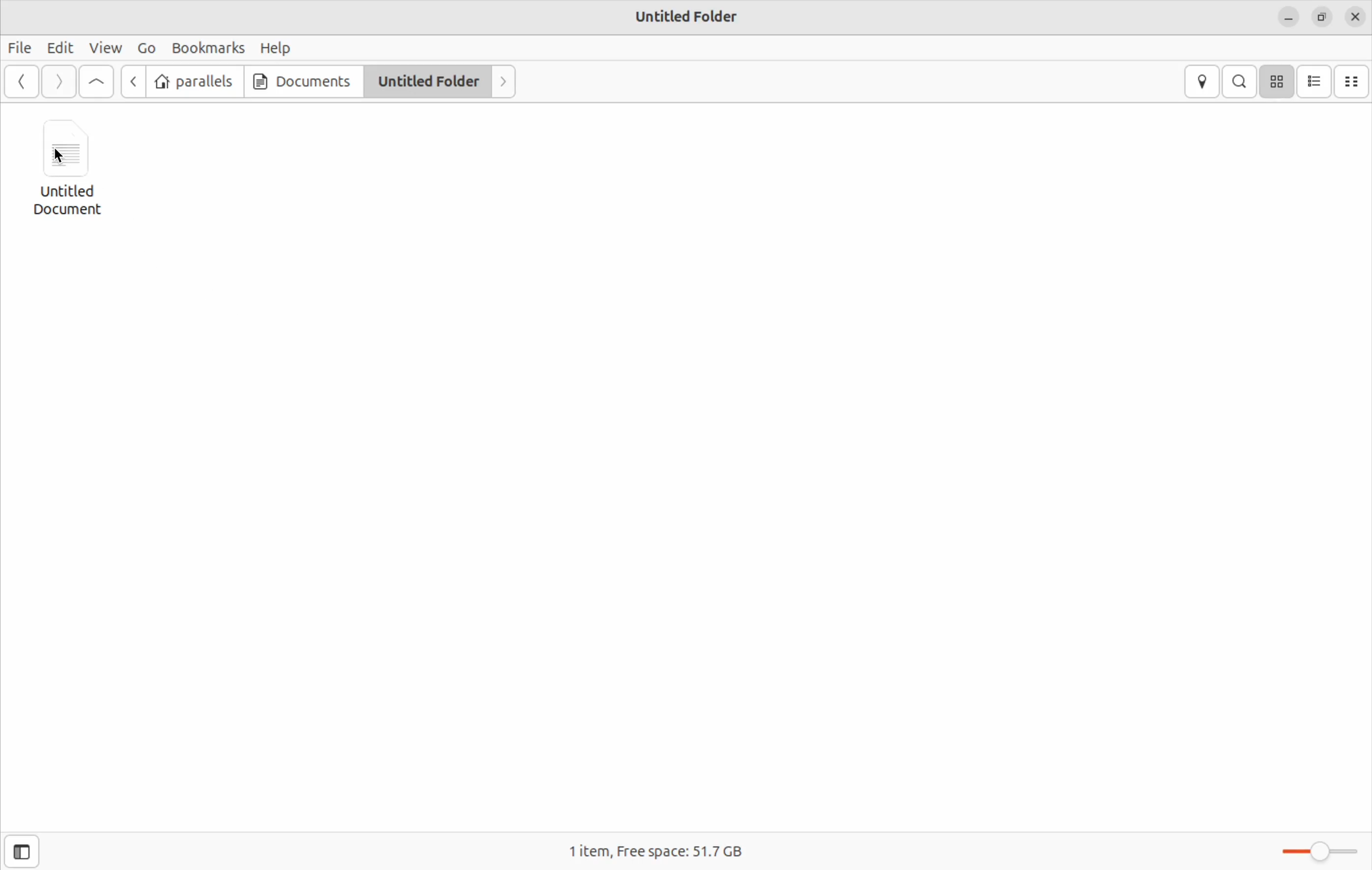  I want to click on Documents, so click(300, 81).